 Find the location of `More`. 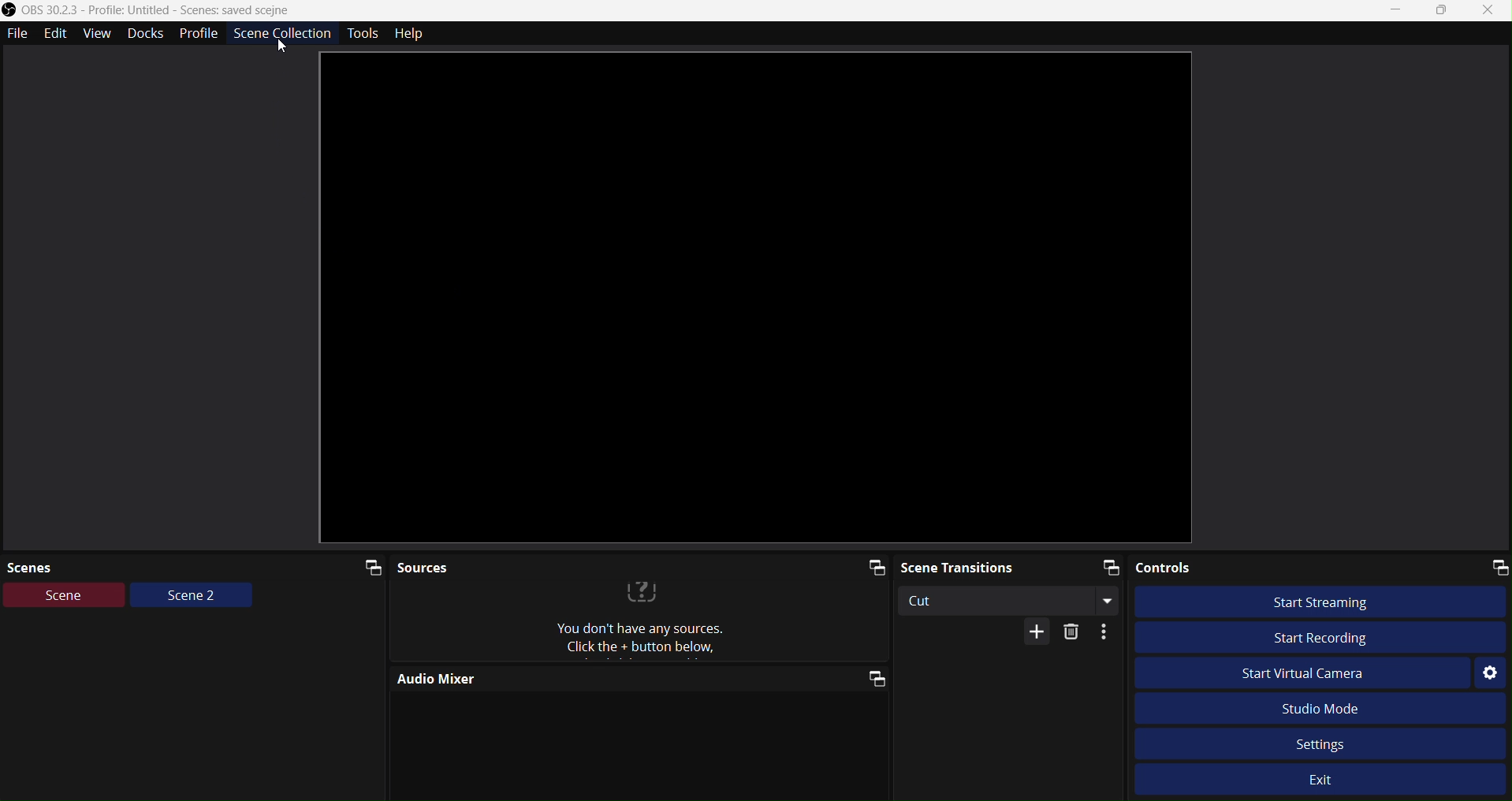

More is located at coordinates (1108, 631).